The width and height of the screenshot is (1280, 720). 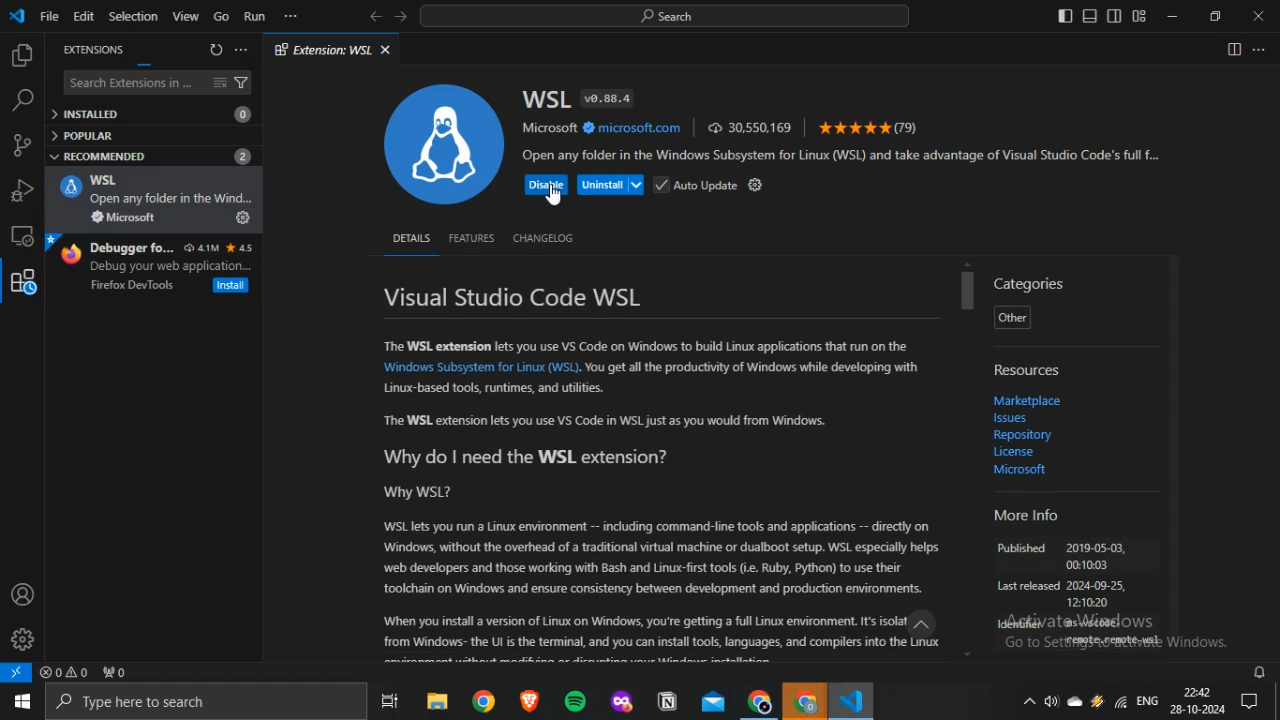 I want to click on Go, so click(x=221, y=16).